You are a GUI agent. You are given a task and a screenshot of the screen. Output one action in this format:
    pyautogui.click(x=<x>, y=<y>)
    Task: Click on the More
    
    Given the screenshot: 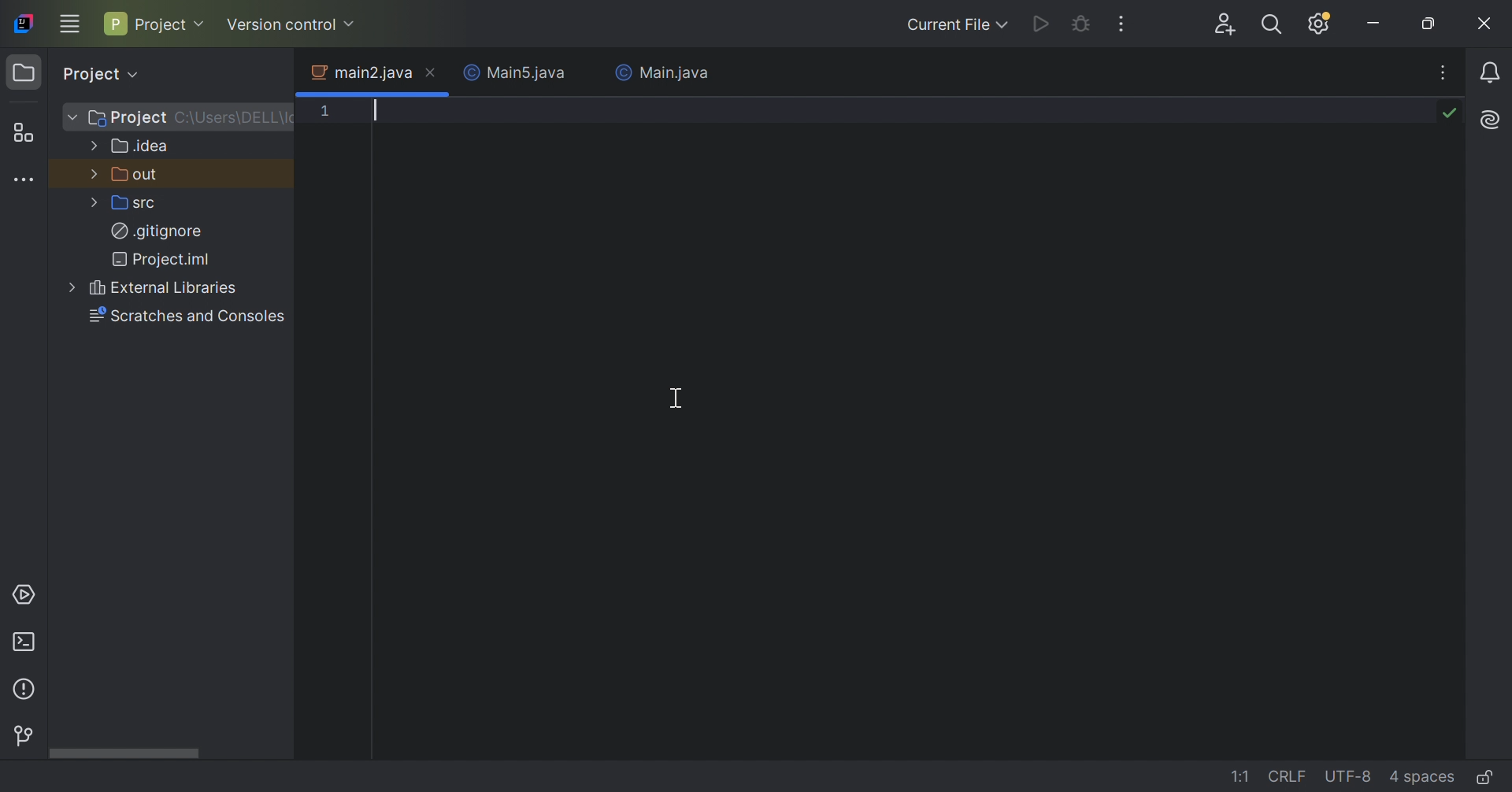 What is the action you would take?
    pyautogui.click(x=69, y=288)
    